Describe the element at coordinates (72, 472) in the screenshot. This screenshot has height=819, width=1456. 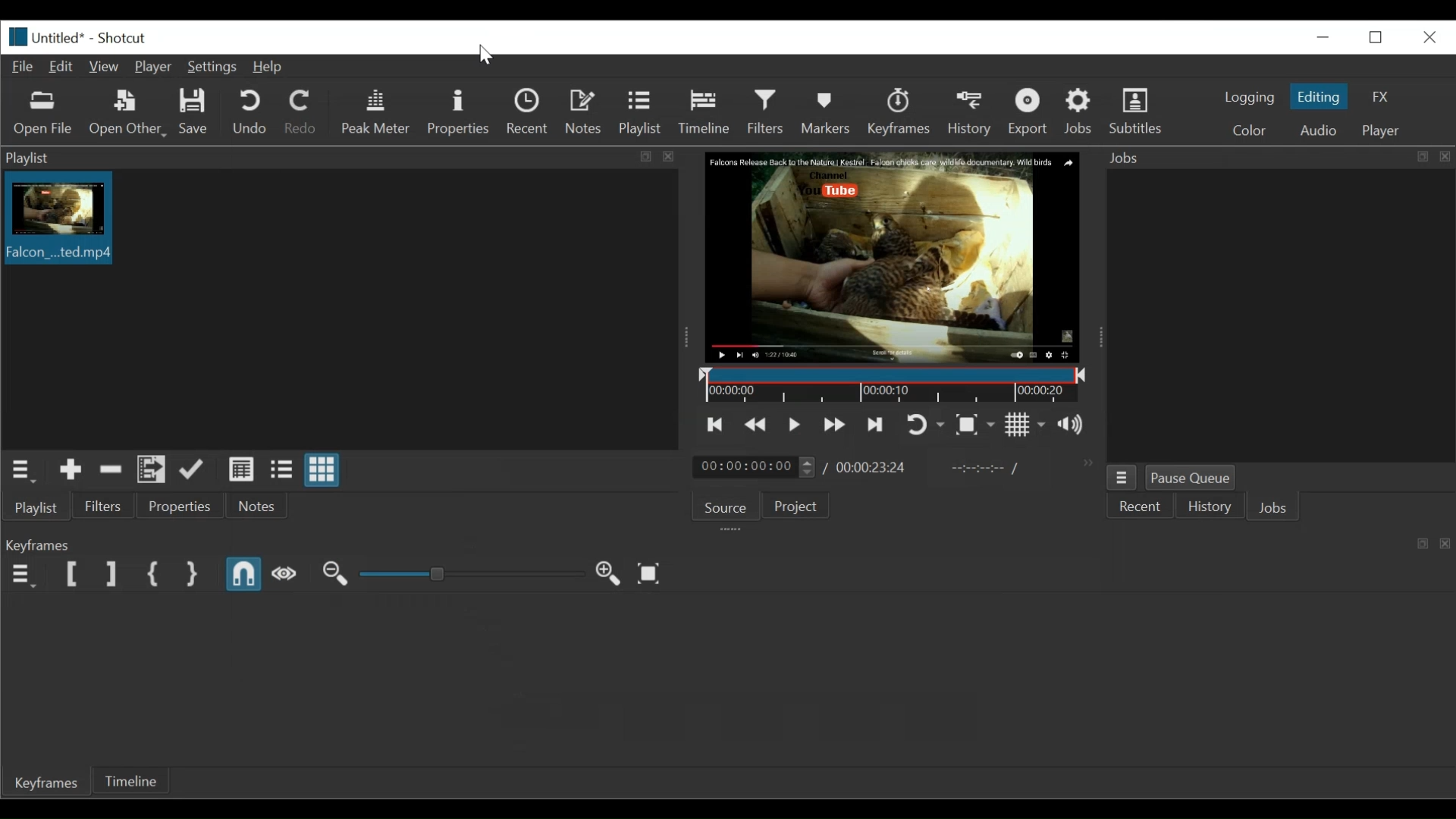
I see `Add the source to the playlist` at that location.